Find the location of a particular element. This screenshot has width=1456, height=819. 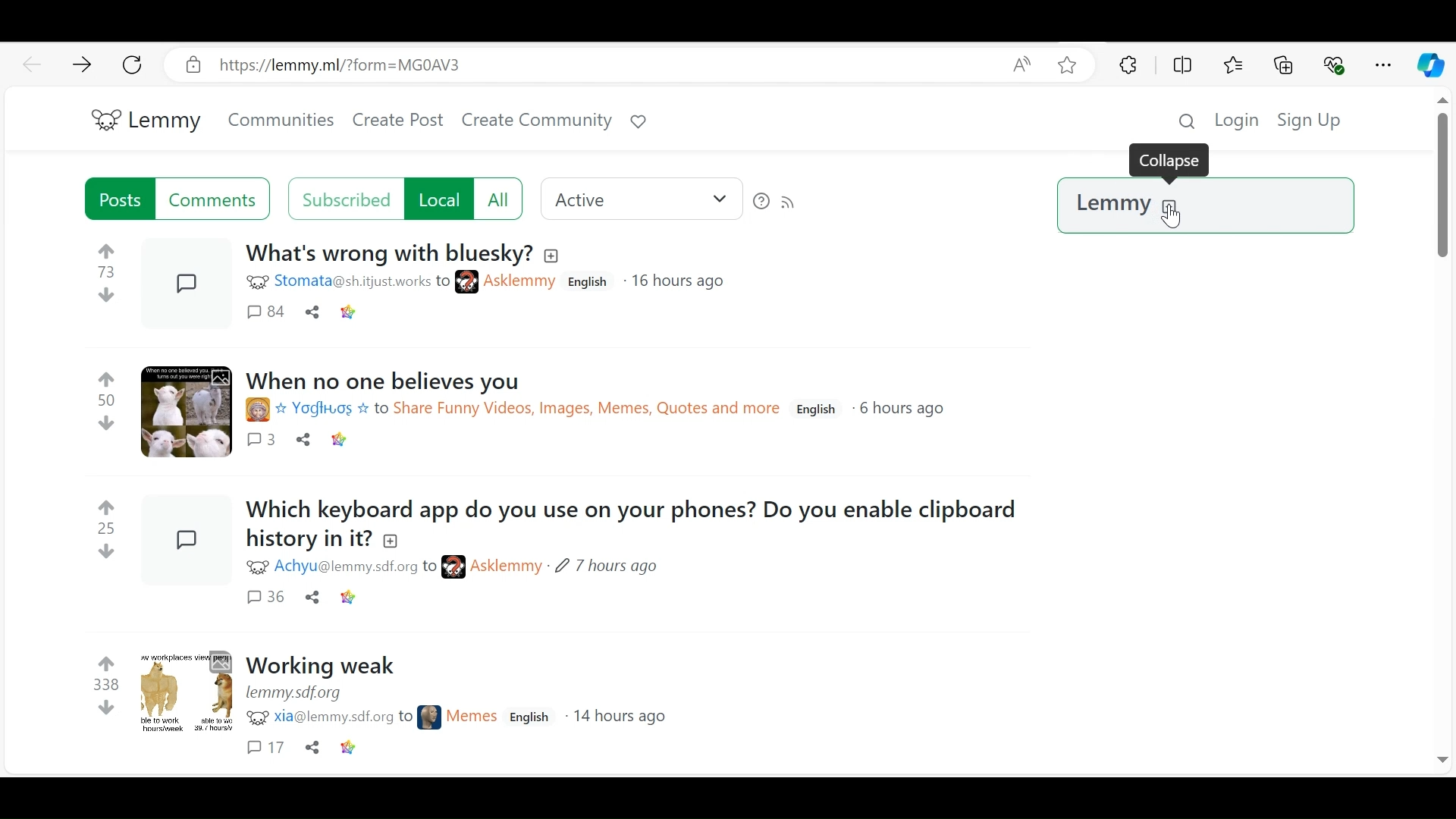

Goo back is located at coordinates (33, 63).